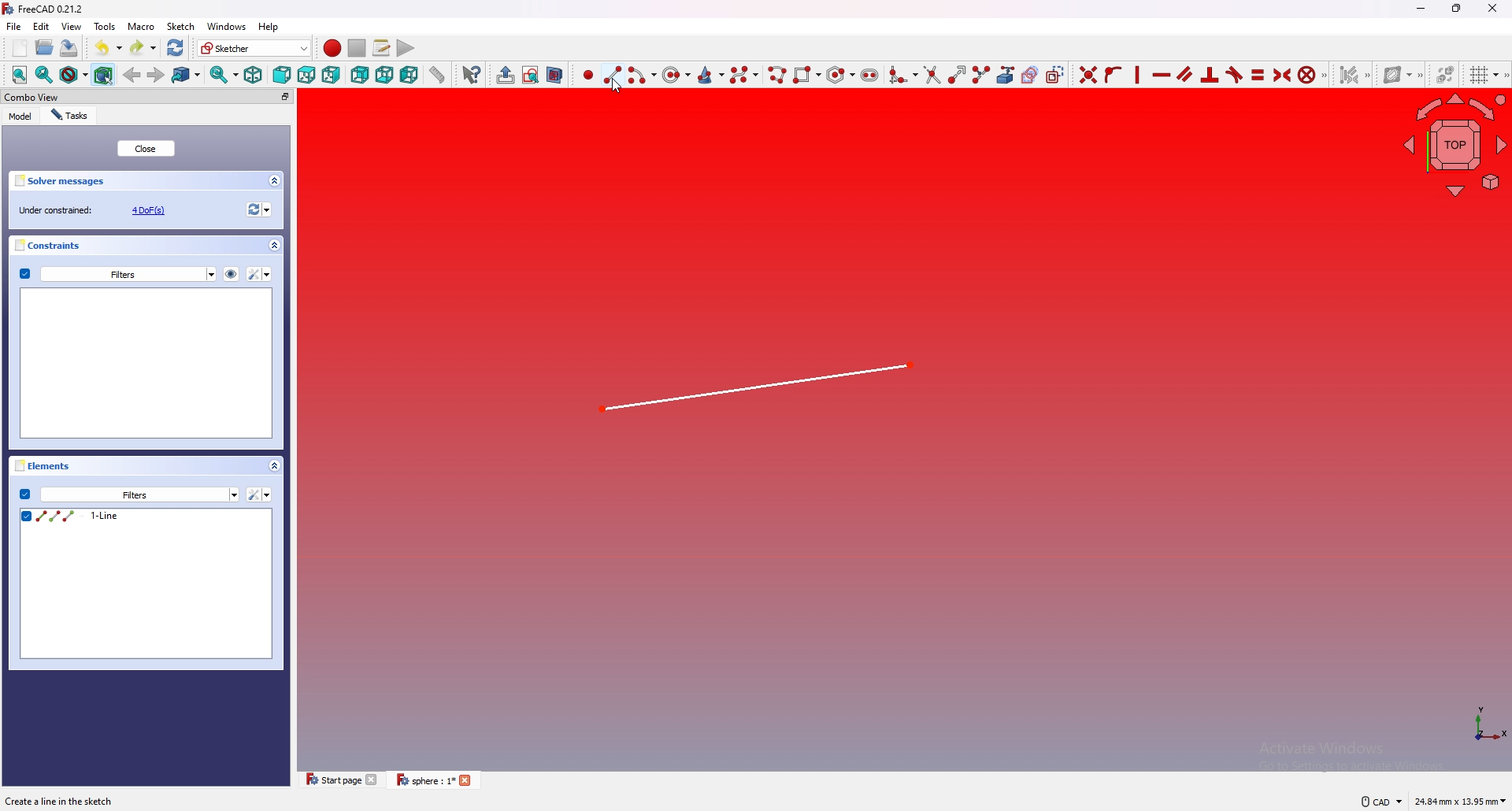 The image size is (1512, 811). Describe the element at coordinates (24, 274) in the screenshot. I see `Check` at that location.